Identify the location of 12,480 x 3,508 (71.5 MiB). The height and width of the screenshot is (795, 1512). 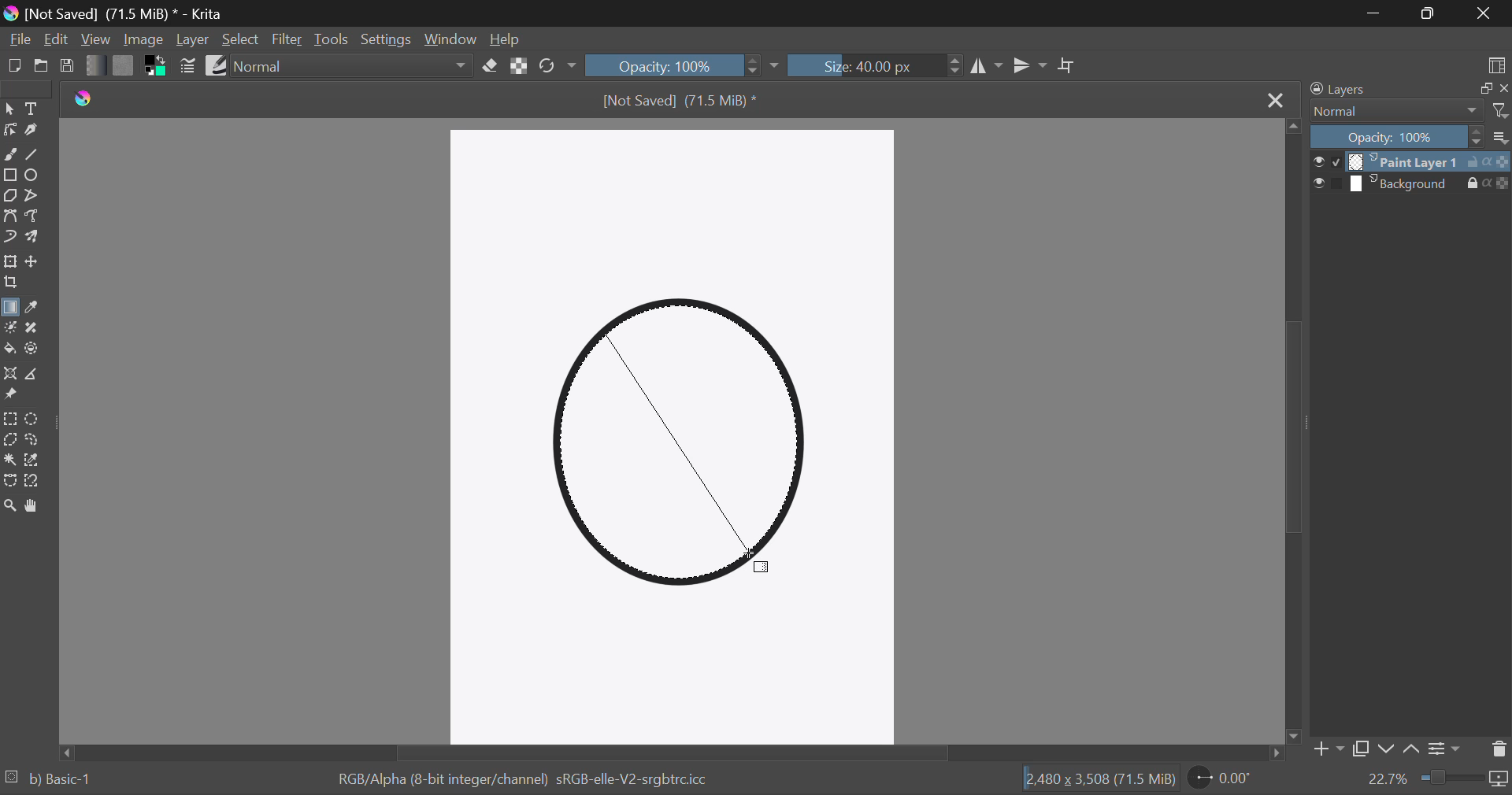
(1099, 779).